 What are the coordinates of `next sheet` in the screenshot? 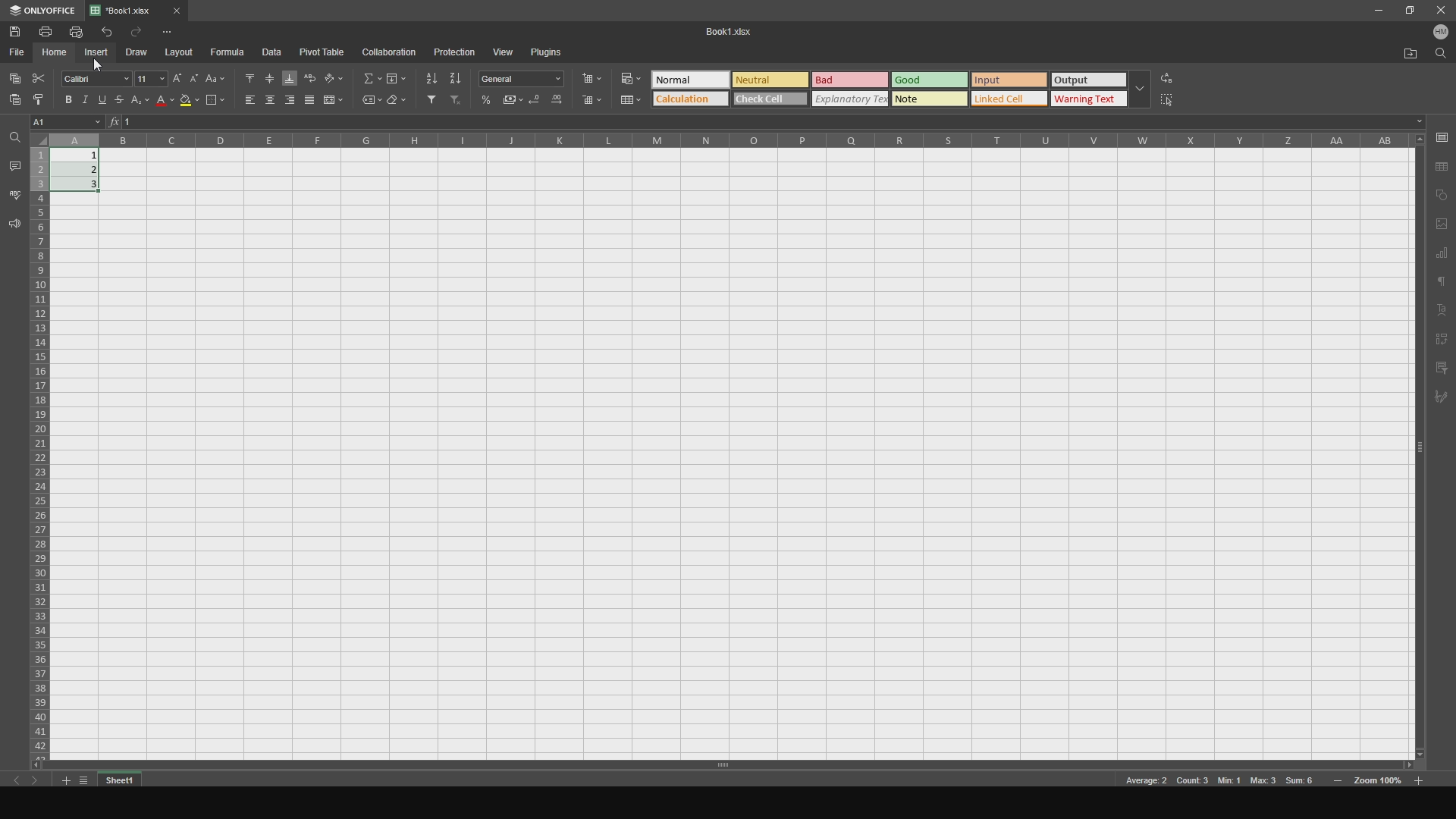 It's located at (42, 783).